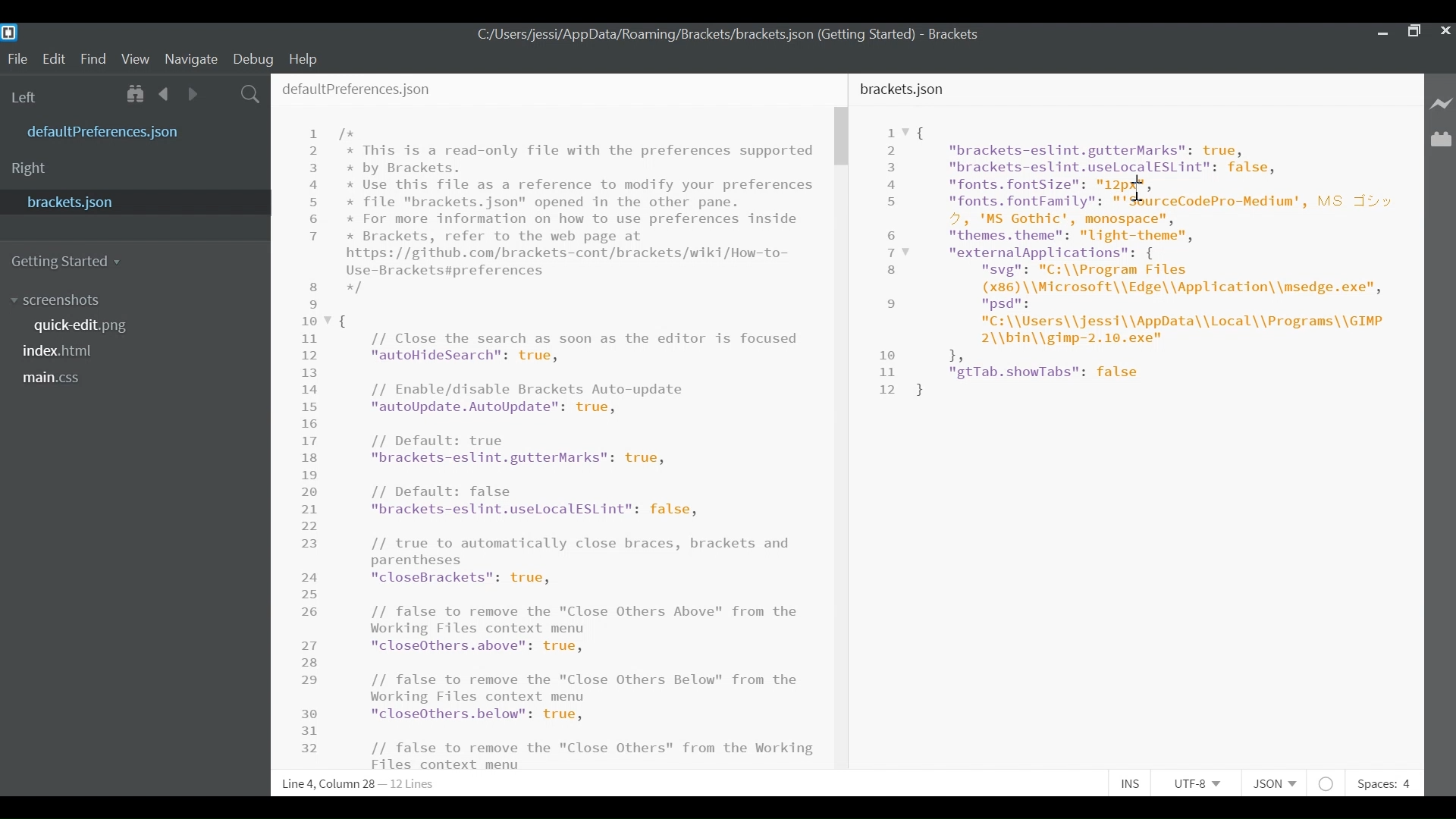  What do you see at coordinates (894, 261) in the screenshot?
I see `Line Number` at bounding box center [894, 261].